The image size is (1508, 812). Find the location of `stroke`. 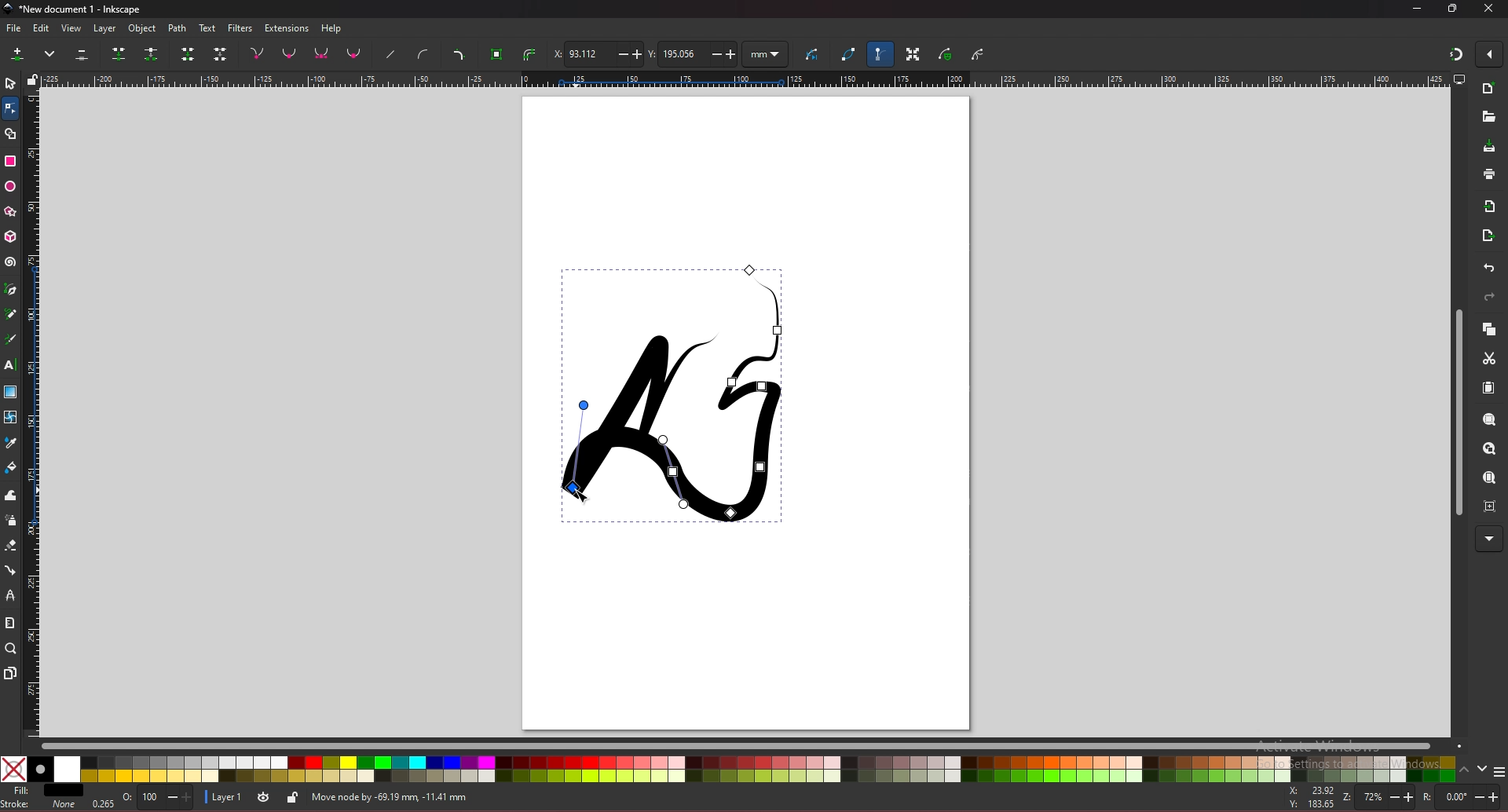

stroke is located at coordinates (39, 807).